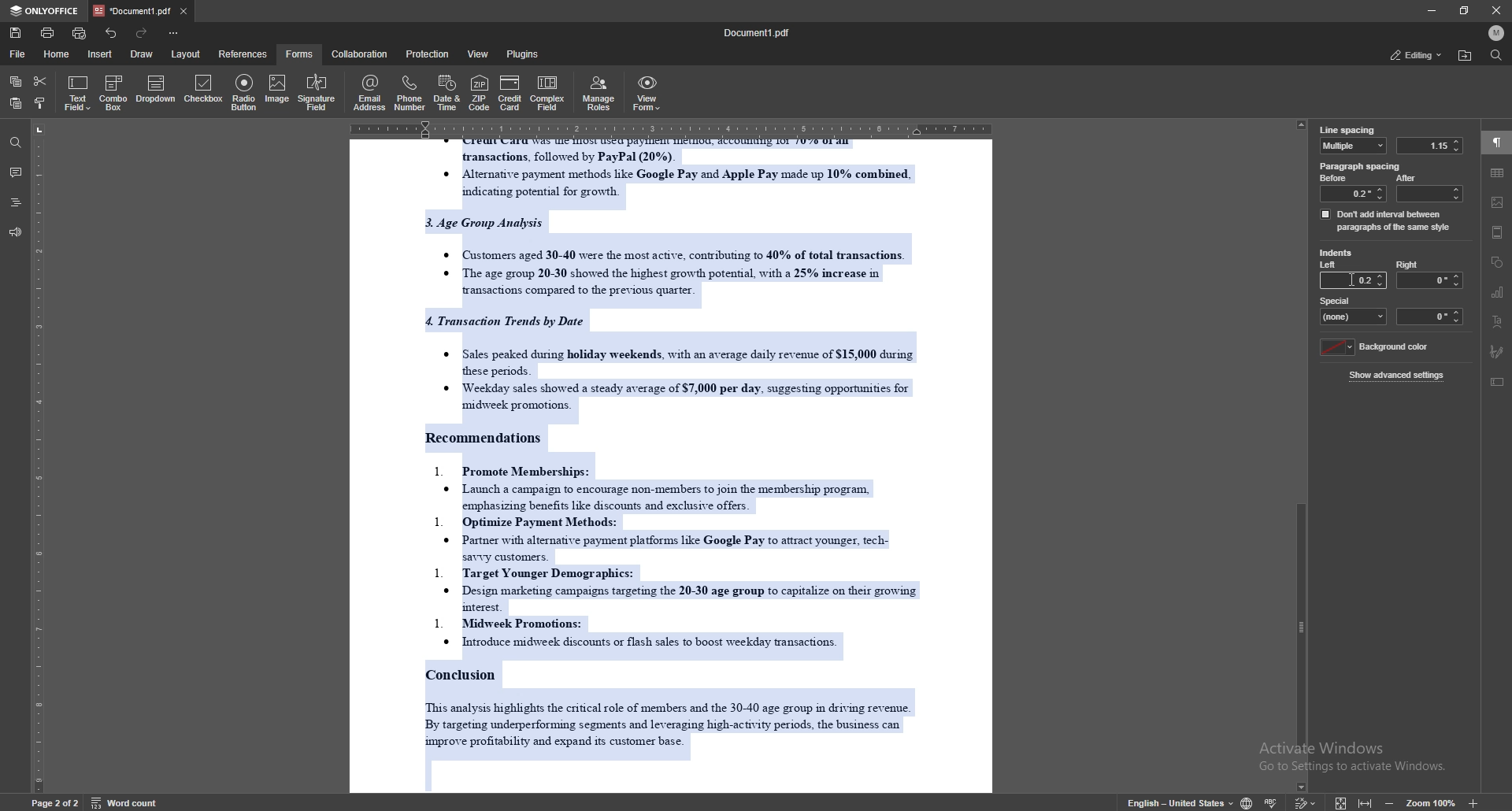  I want to click on text art, so click(1496, 322).